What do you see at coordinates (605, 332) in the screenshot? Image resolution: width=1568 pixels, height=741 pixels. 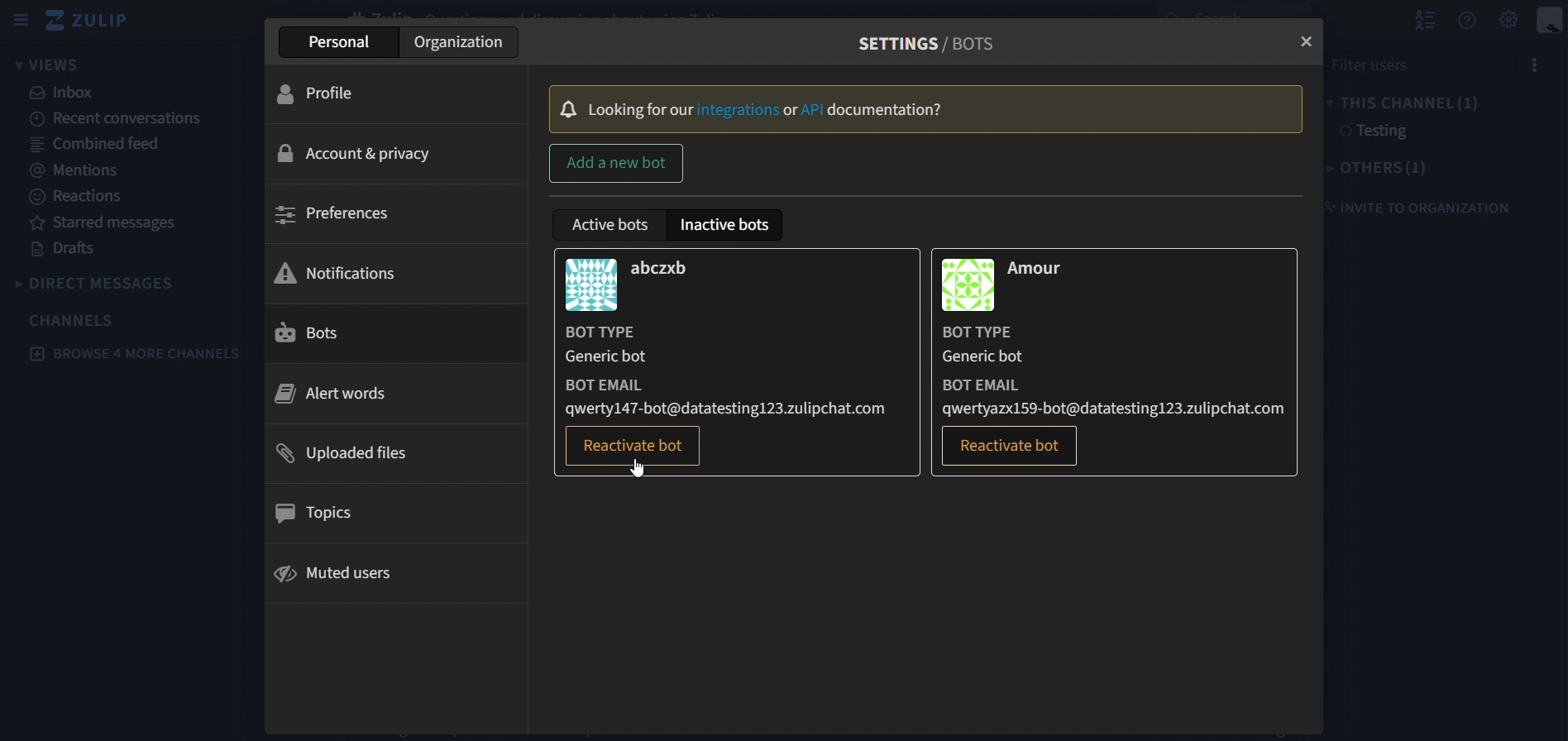 I see `BOT TYPE` at bounding box center [605, 332].